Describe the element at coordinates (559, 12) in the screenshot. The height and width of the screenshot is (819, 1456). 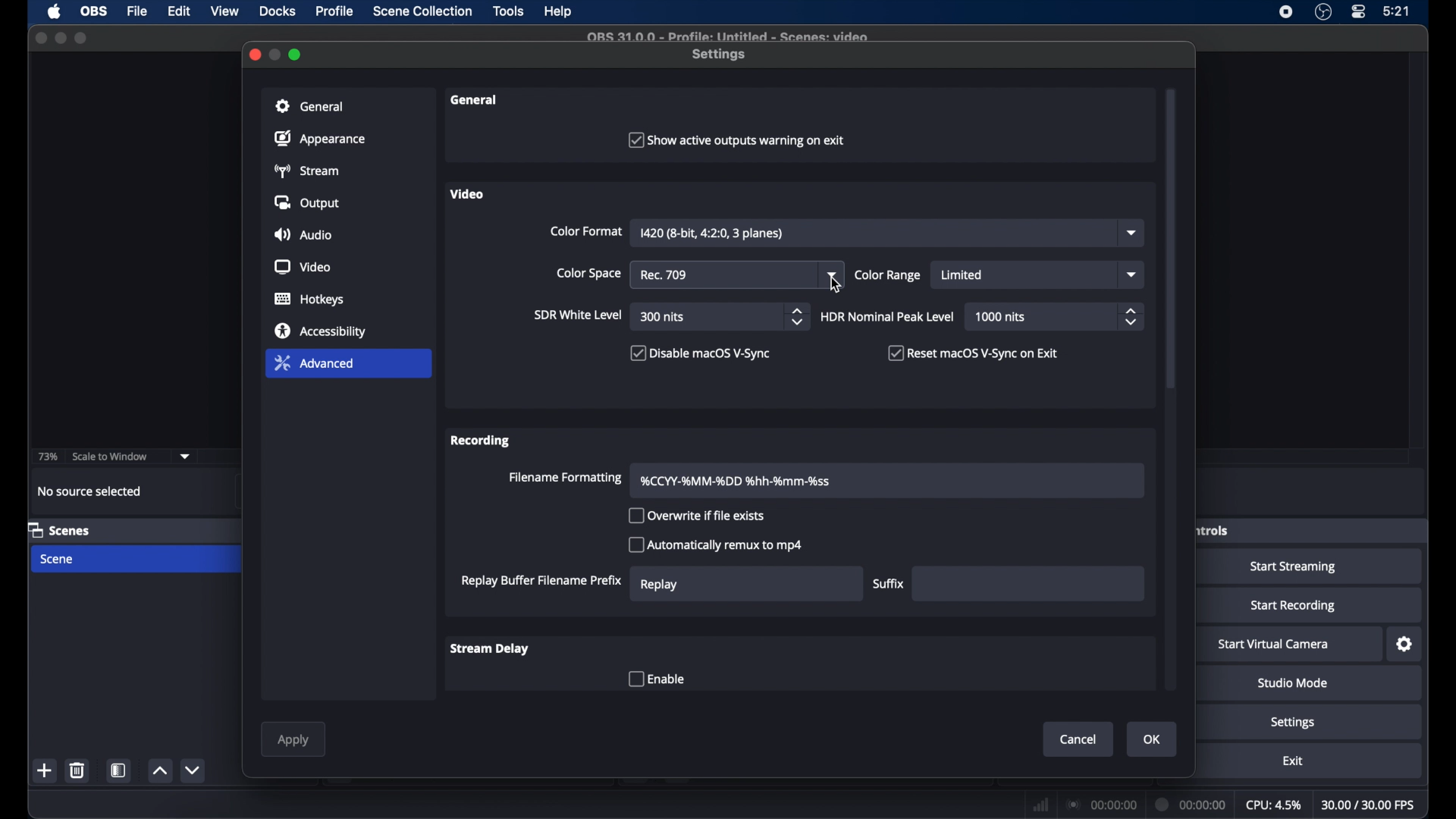
I see `help` at that location.